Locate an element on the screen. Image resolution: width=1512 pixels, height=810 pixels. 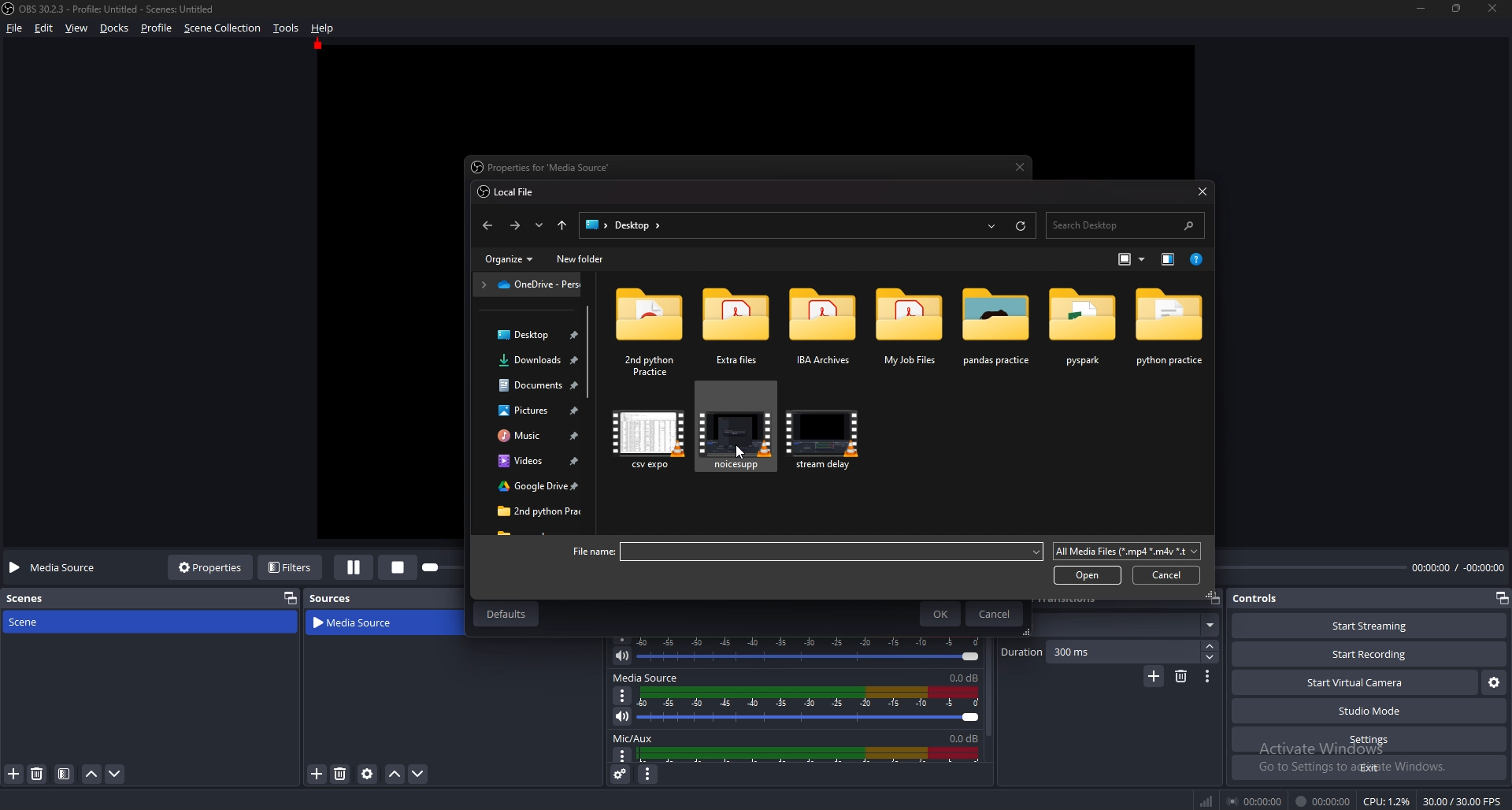
Open is located at coordinates (1088, 575).